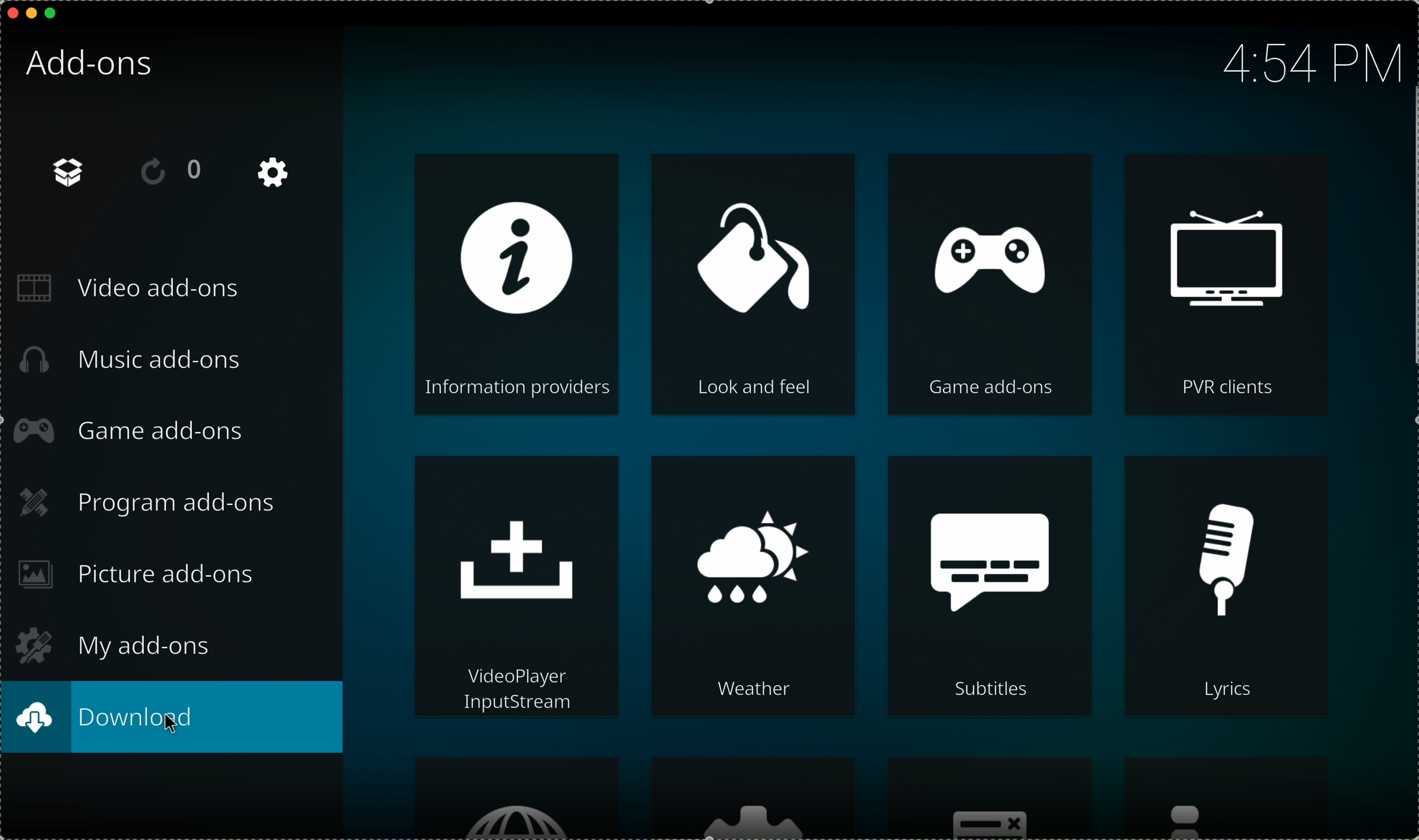 Image resolution: width=1419 pixels, height=840 pixels. Describe the element at coordinates (753, 285) in the screenshot. I see `look and feel` at that location.